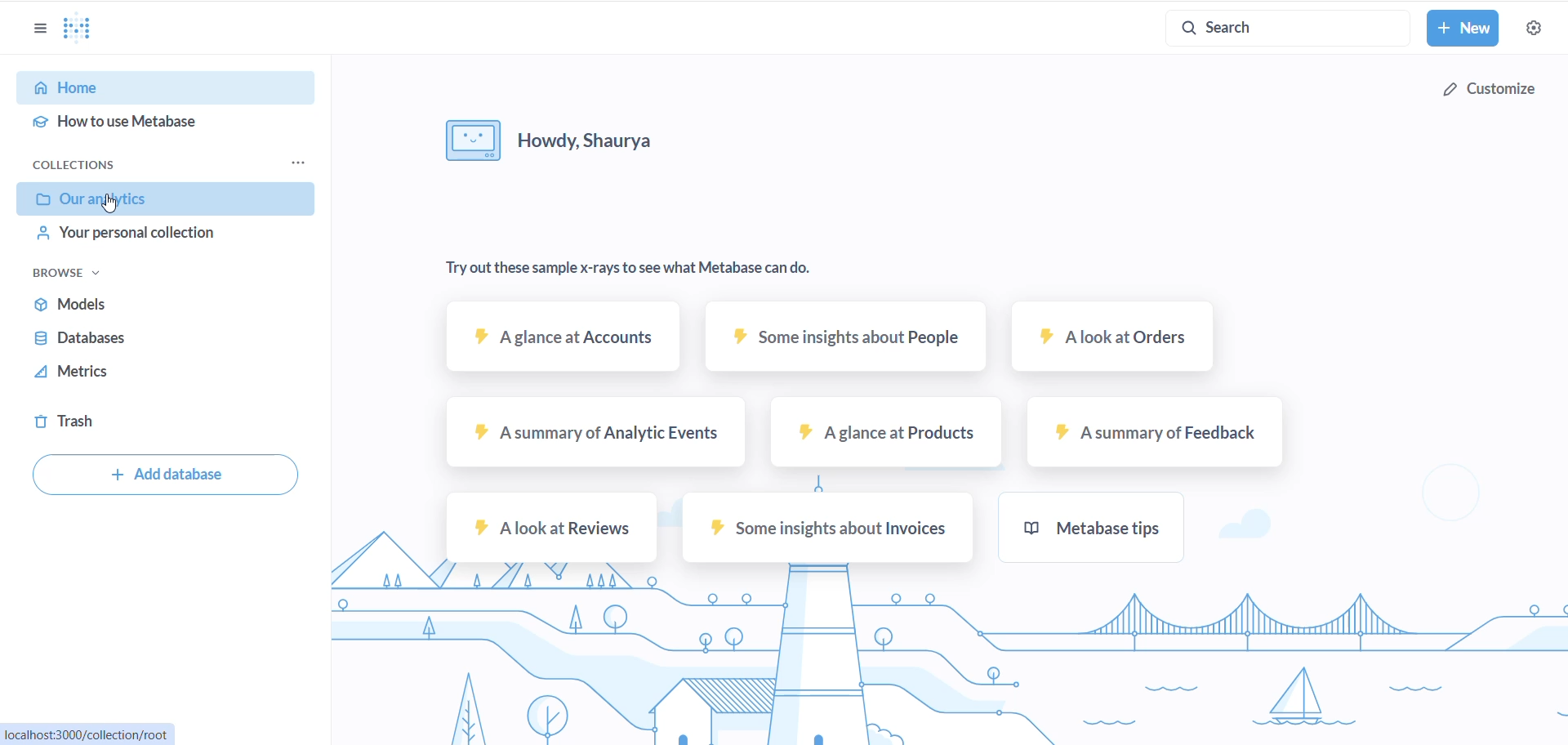 The width and height of the screenshot is (1568, 745). I want to click on setting, so click(1535, 31).